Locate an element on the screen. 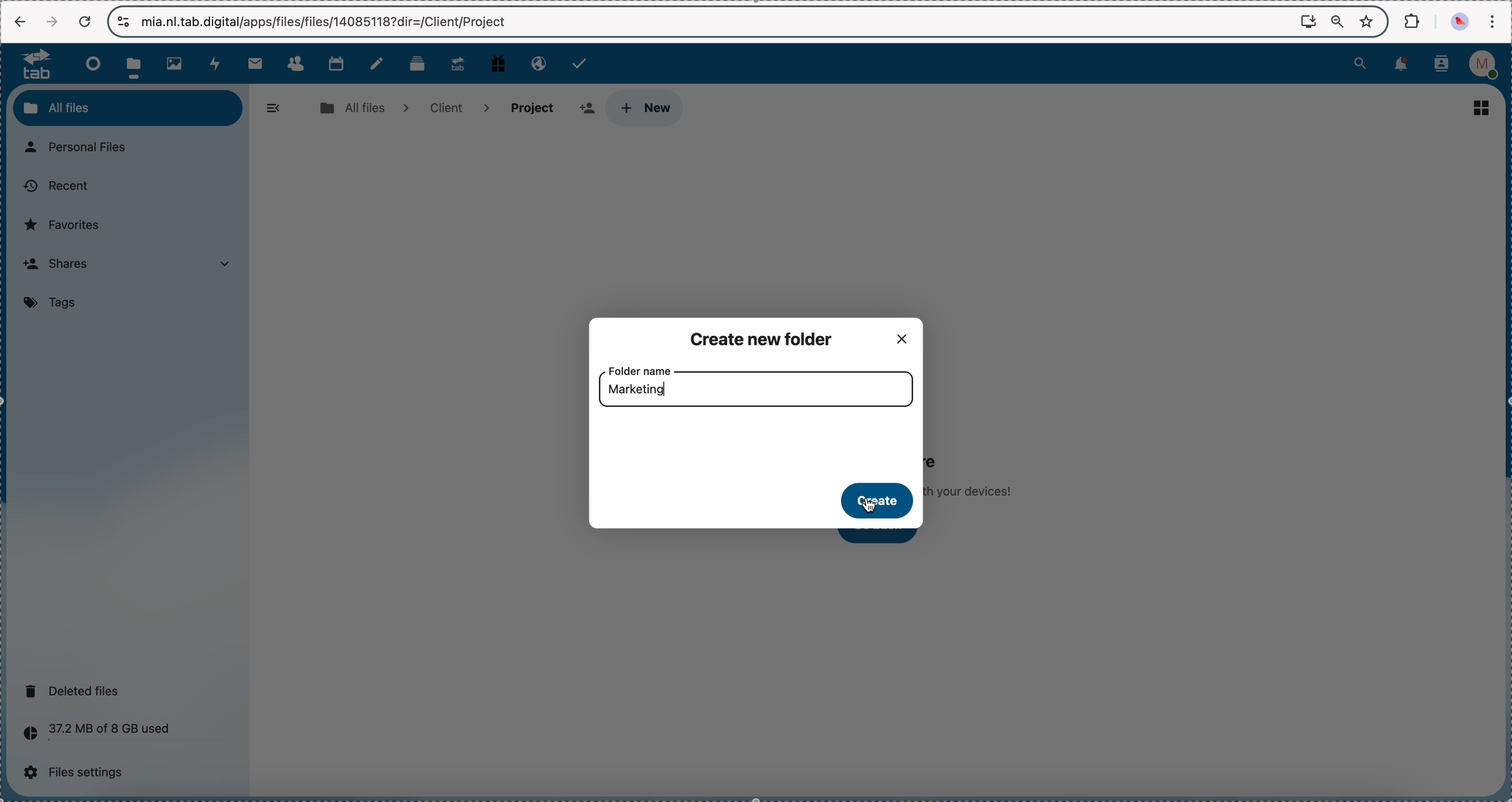  no files in here is located at coordinates (977, 472).